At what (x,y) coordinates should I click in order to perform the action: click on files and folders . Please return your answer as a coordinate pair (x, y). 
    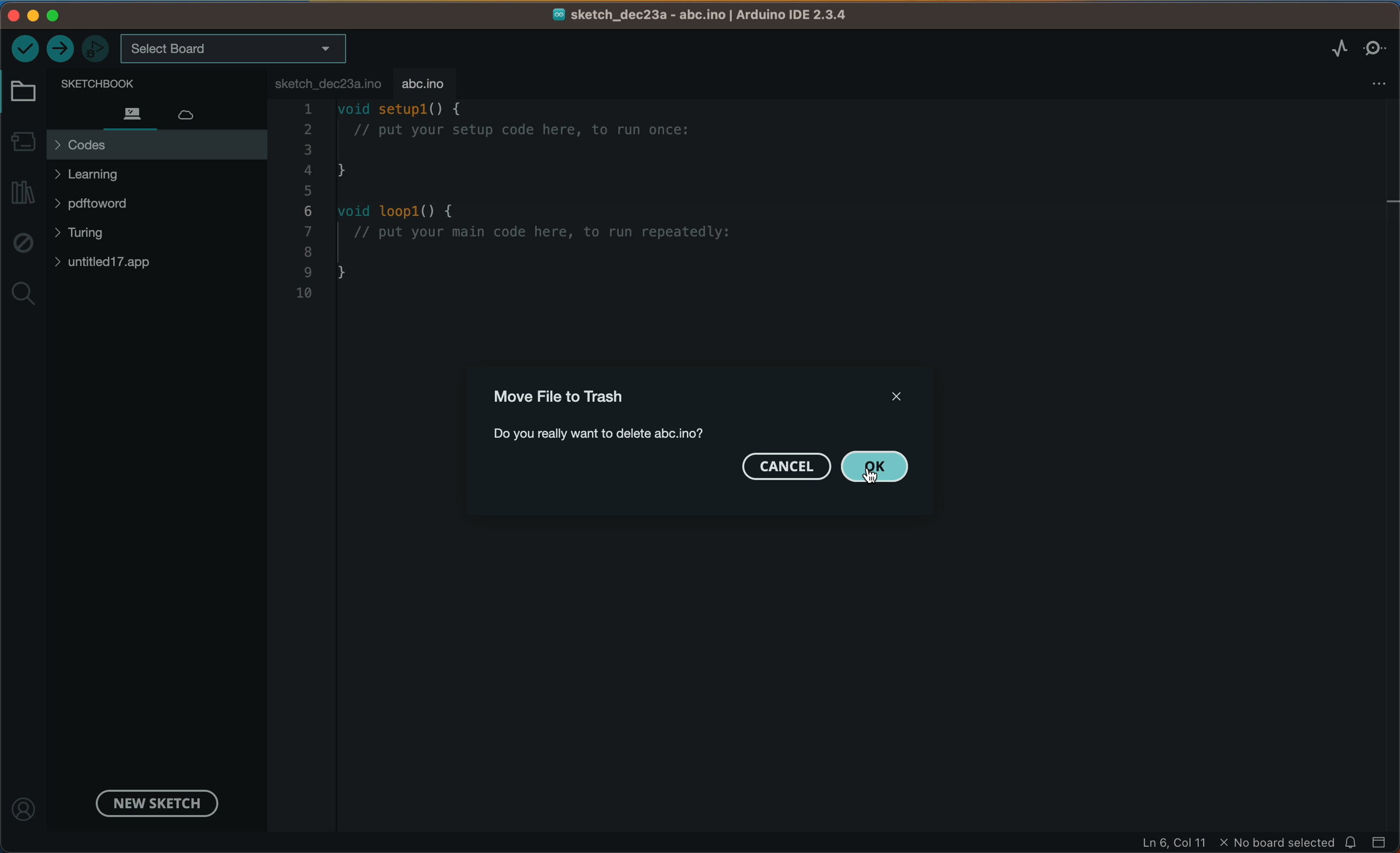
    Looking at the image, I should click on (156, 220).